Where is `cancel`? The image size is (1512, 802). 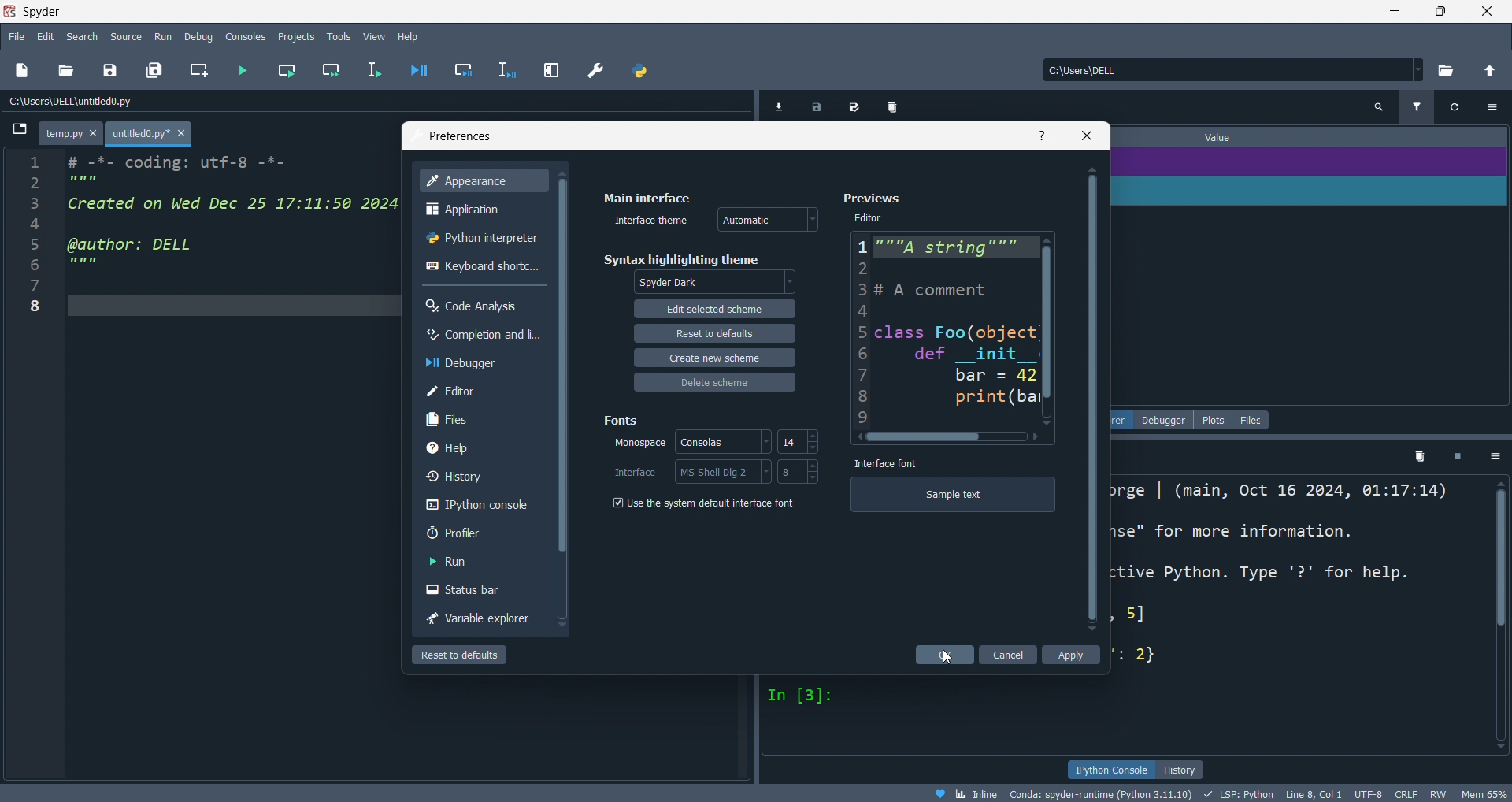 cancel is located at coordinates (1010, 653).